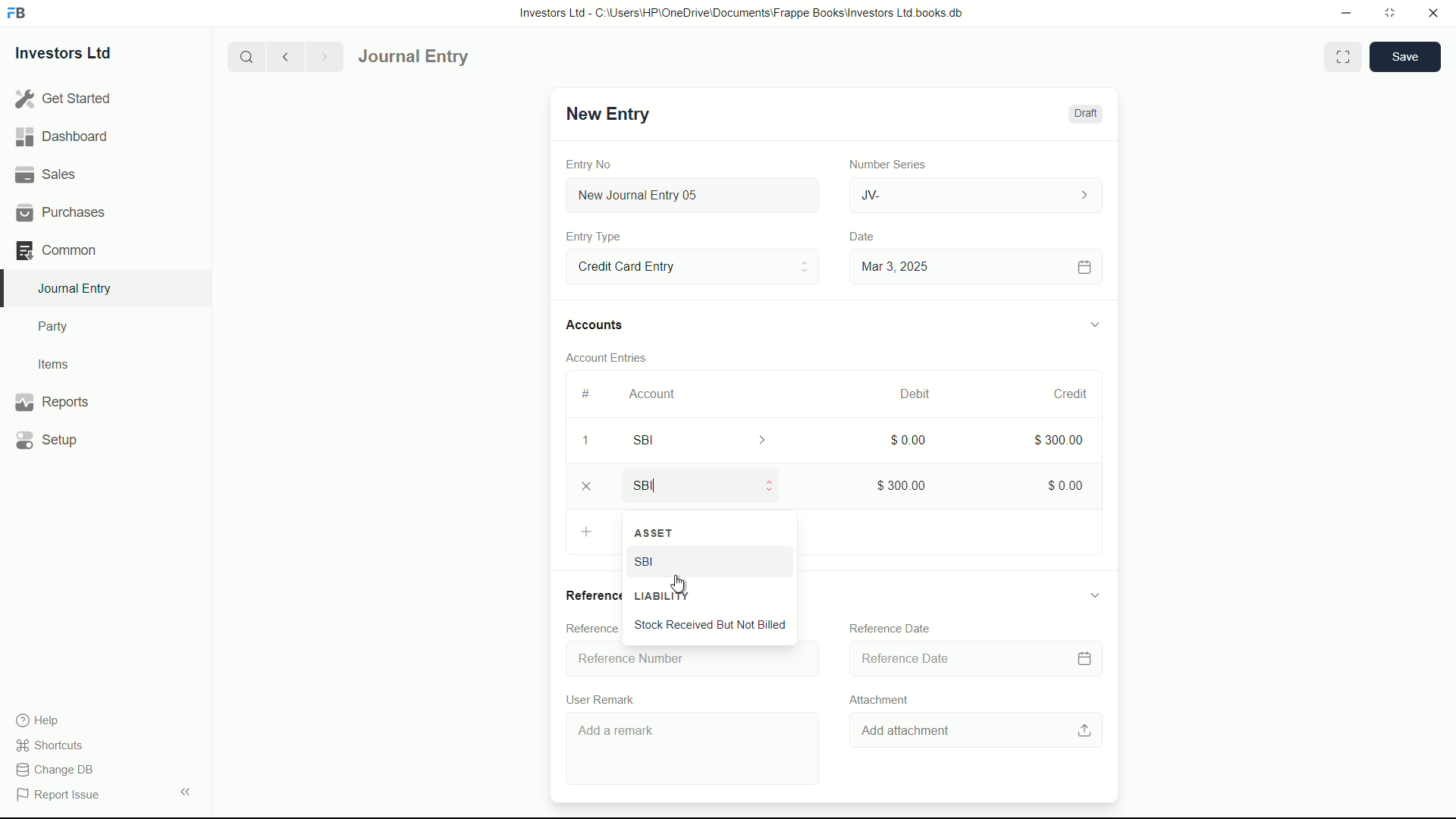  Describe the element at coordinates (661, 562) in the screenshot. I see `SBI` at that location.